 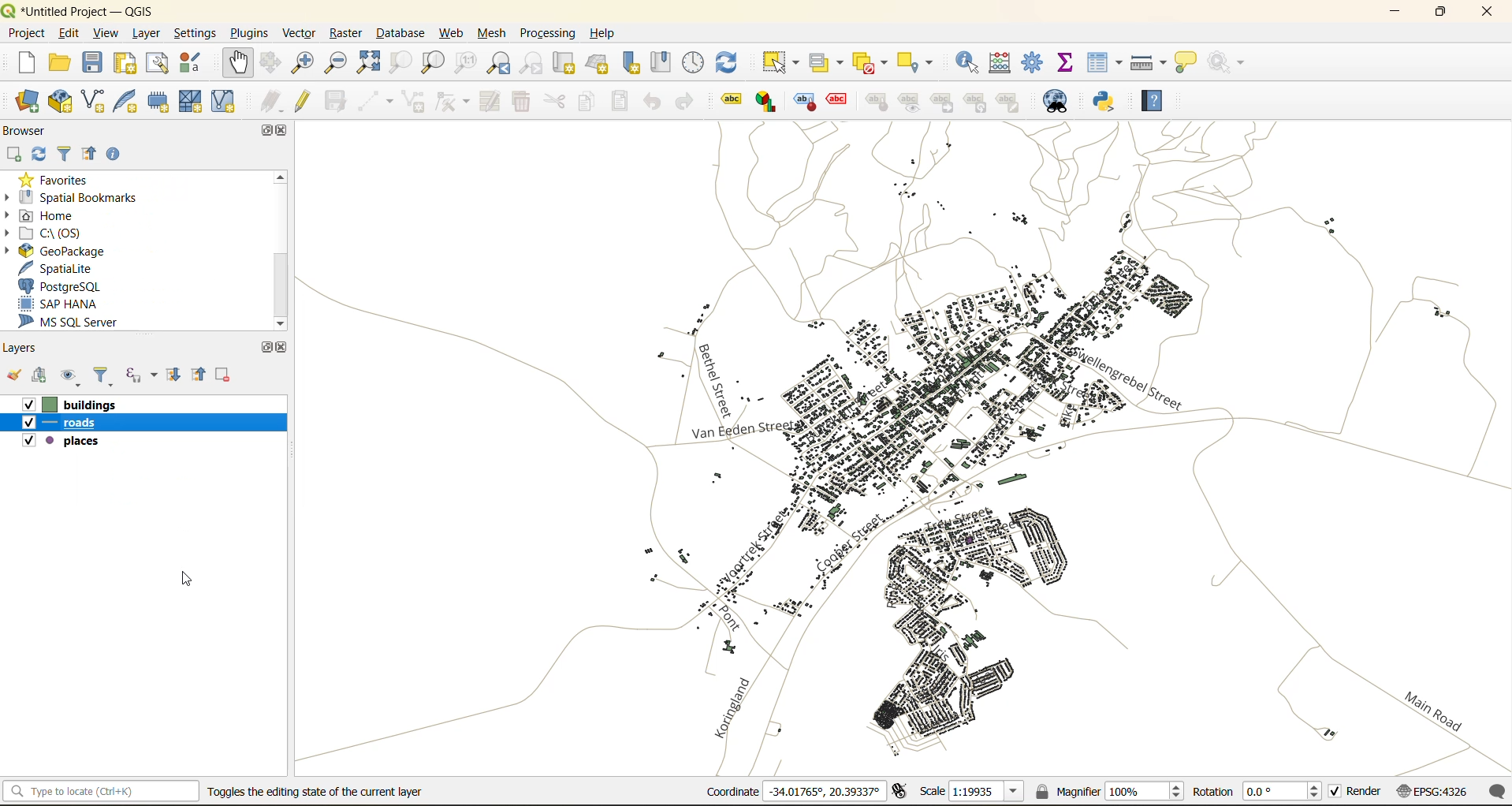 I want to click on new spatial bookmark, so click(x=628, y=64).